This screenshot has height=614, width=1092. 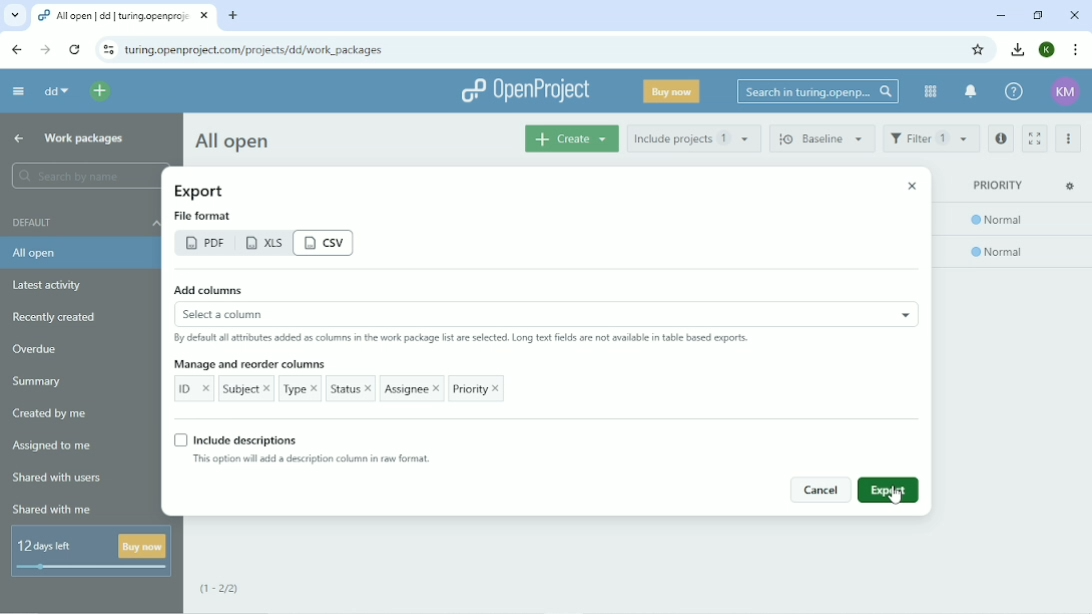 I want to click on Close, so click(x=1074, y=15).